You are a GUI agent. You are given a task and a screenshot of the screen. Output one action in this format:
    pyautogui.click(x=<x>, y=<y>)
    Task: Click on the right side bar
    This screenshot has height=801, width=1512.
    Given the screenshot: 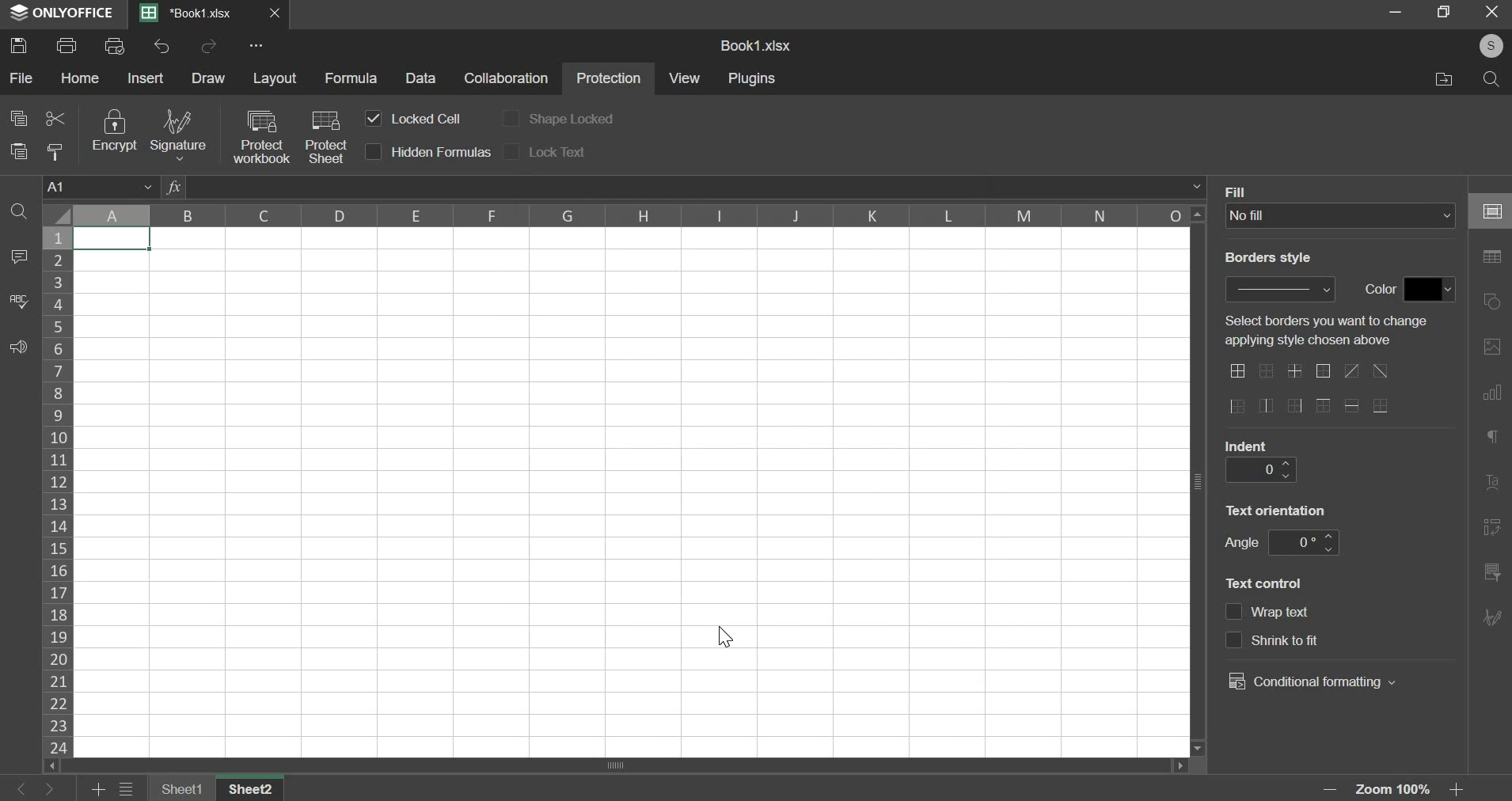 What is the action you would take?
    pyautogui.click(x=1492, y=346)
    